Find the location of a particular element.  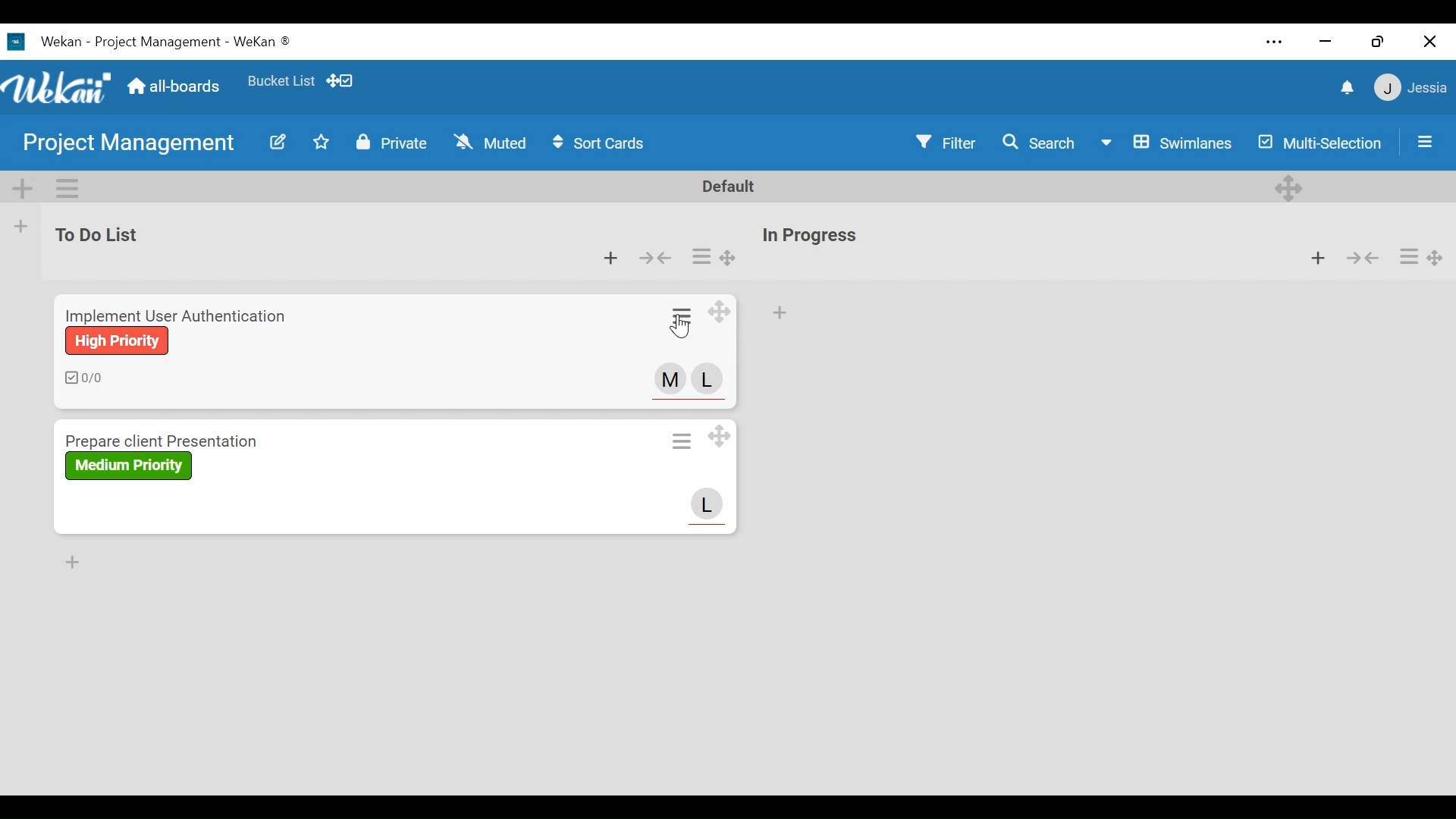

Avatar is located at coordinates (708, 503).